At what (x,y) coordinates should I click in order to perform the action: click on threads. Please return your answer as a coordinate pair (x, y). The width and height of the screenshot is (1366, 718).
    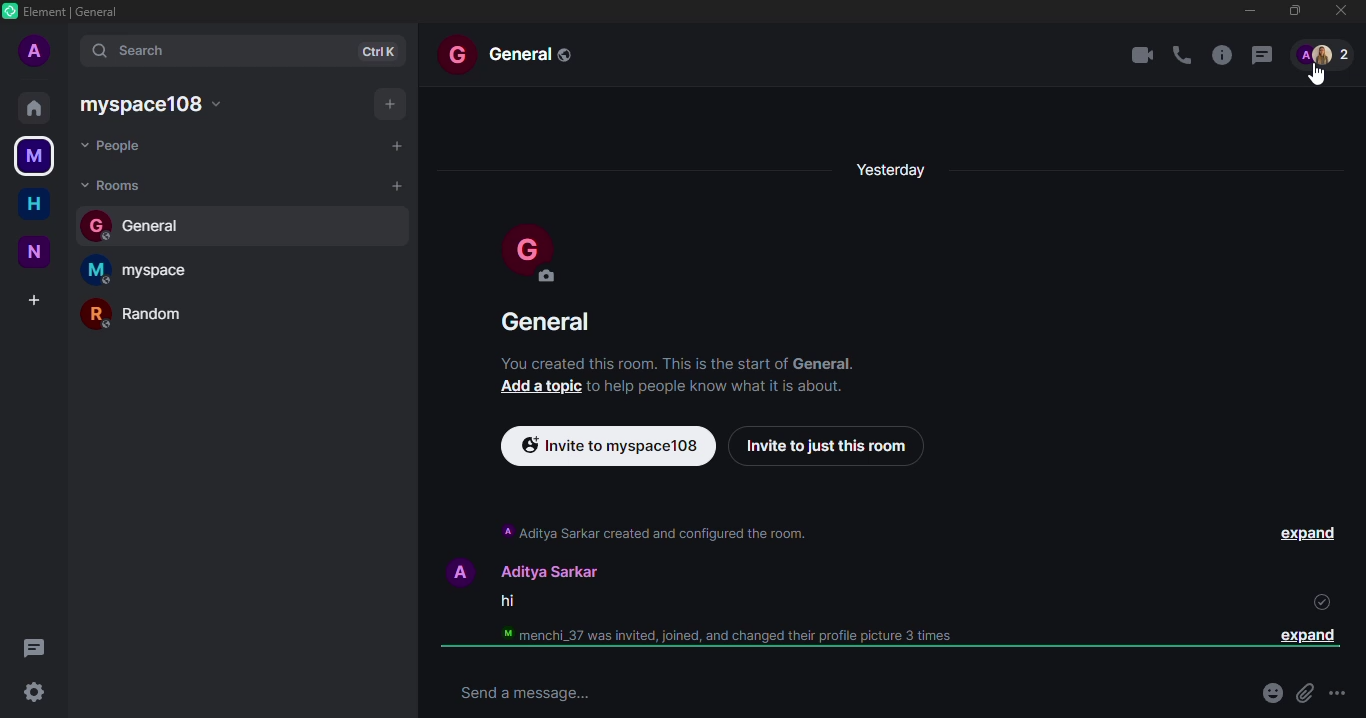
    Looking at the image, I should click on (34, 647).